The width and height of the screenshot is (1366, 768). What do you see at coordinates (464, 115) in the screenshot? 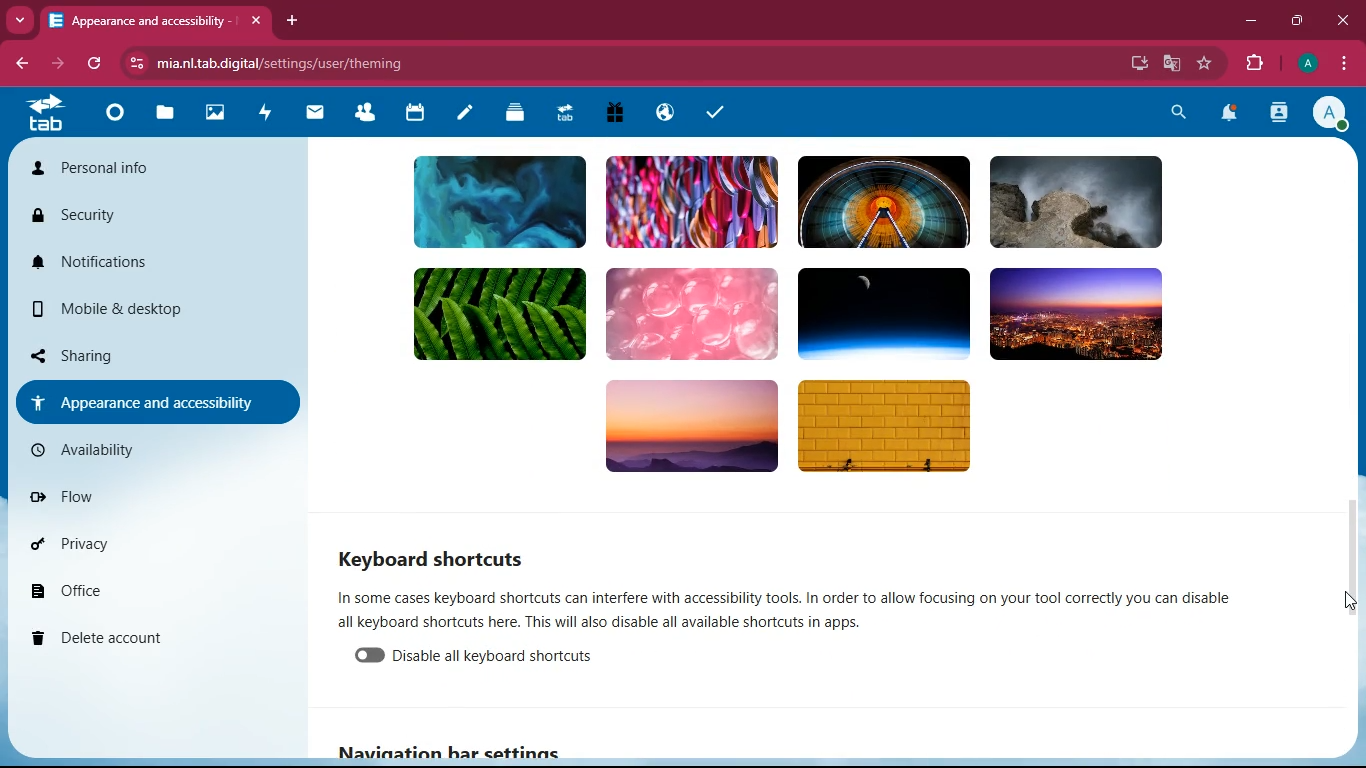
I see `notes` at bounding box center [464, 115].